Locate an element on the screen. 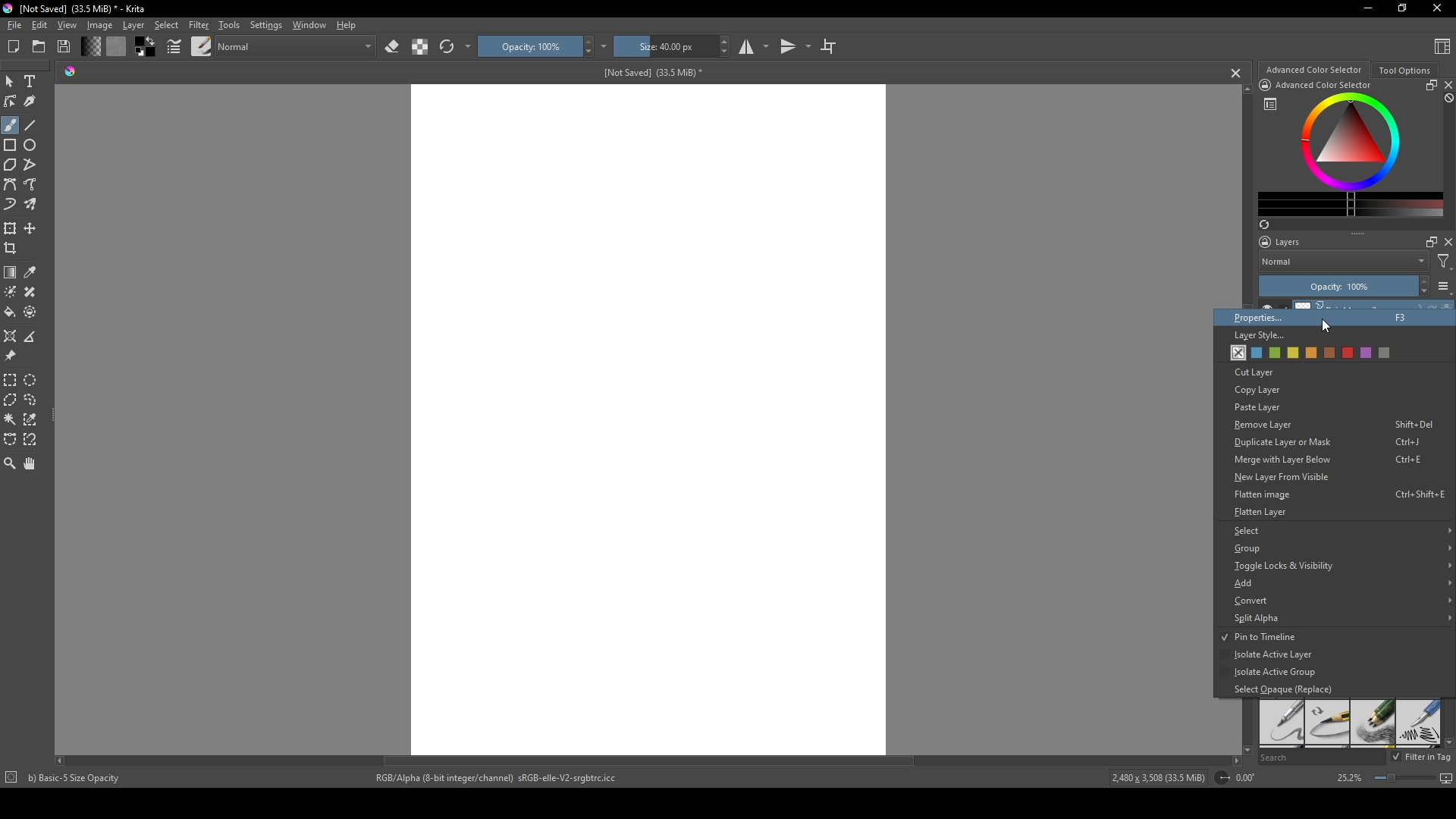  change shade is located at coordinates (90, 46).